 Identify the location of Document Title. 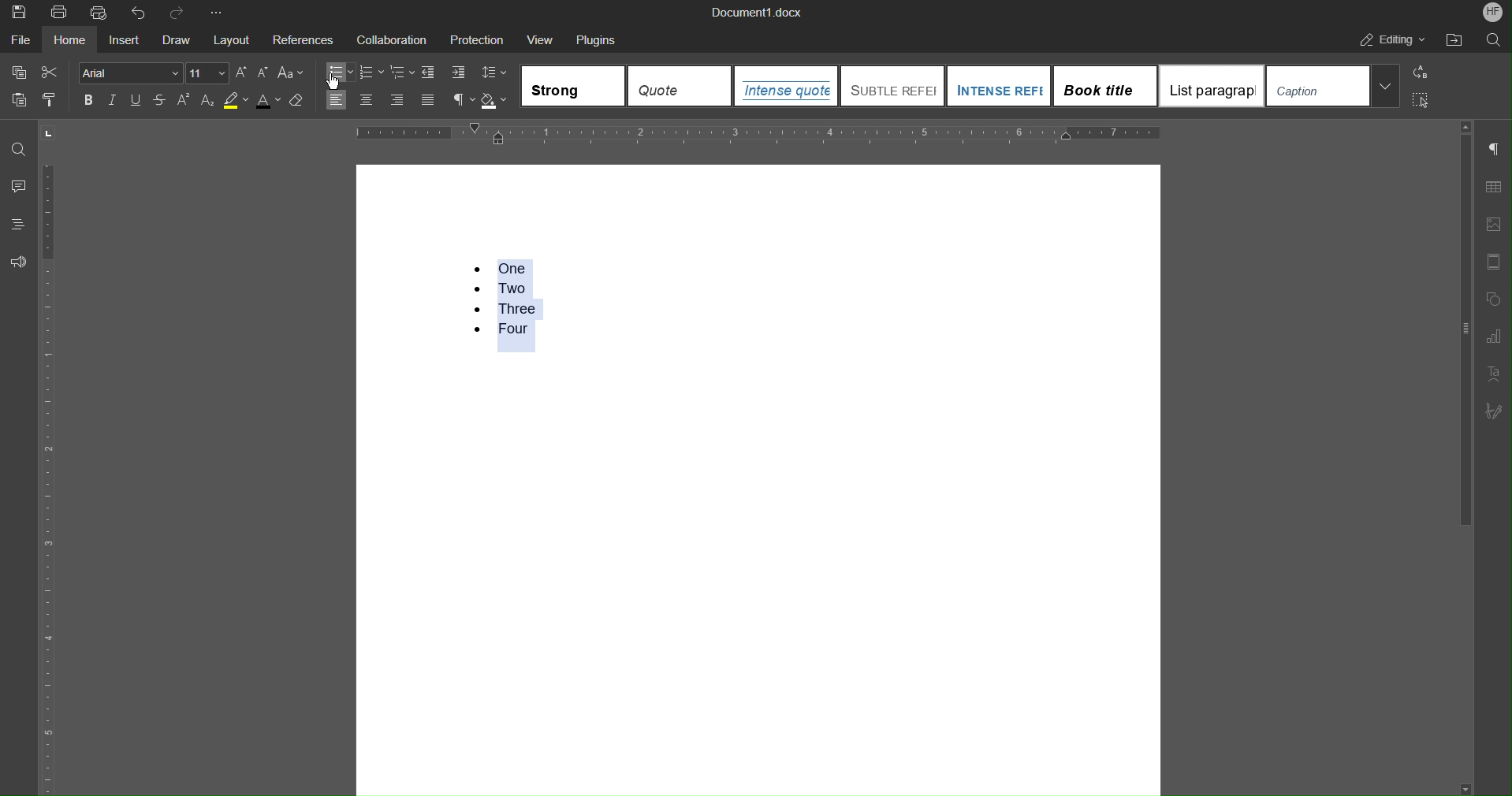
(754, 12).